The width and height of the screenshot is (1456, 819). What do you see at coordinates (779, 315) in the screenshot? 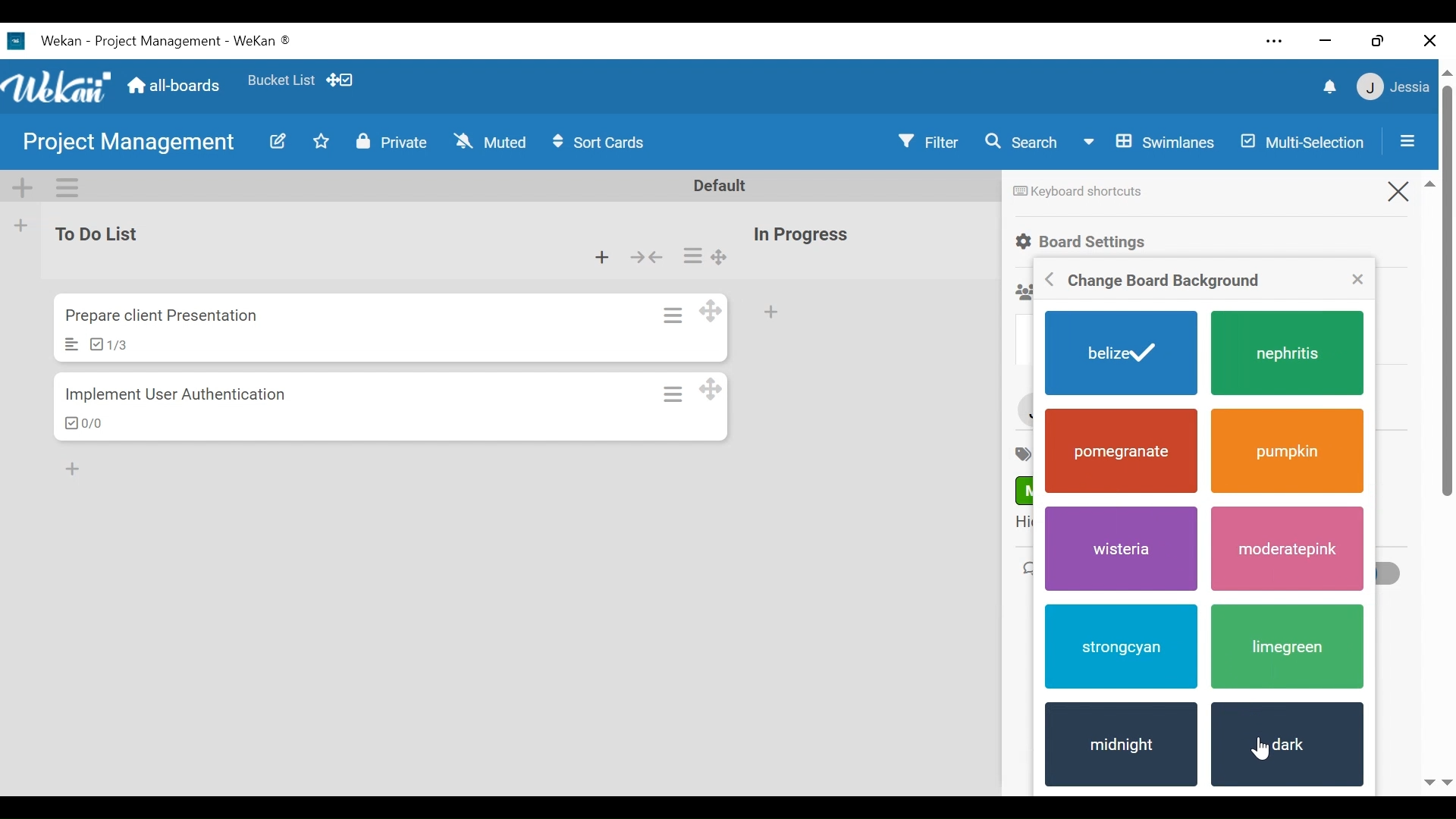
I see `Add card to bottom of the list` at bounding box center [779, 315].